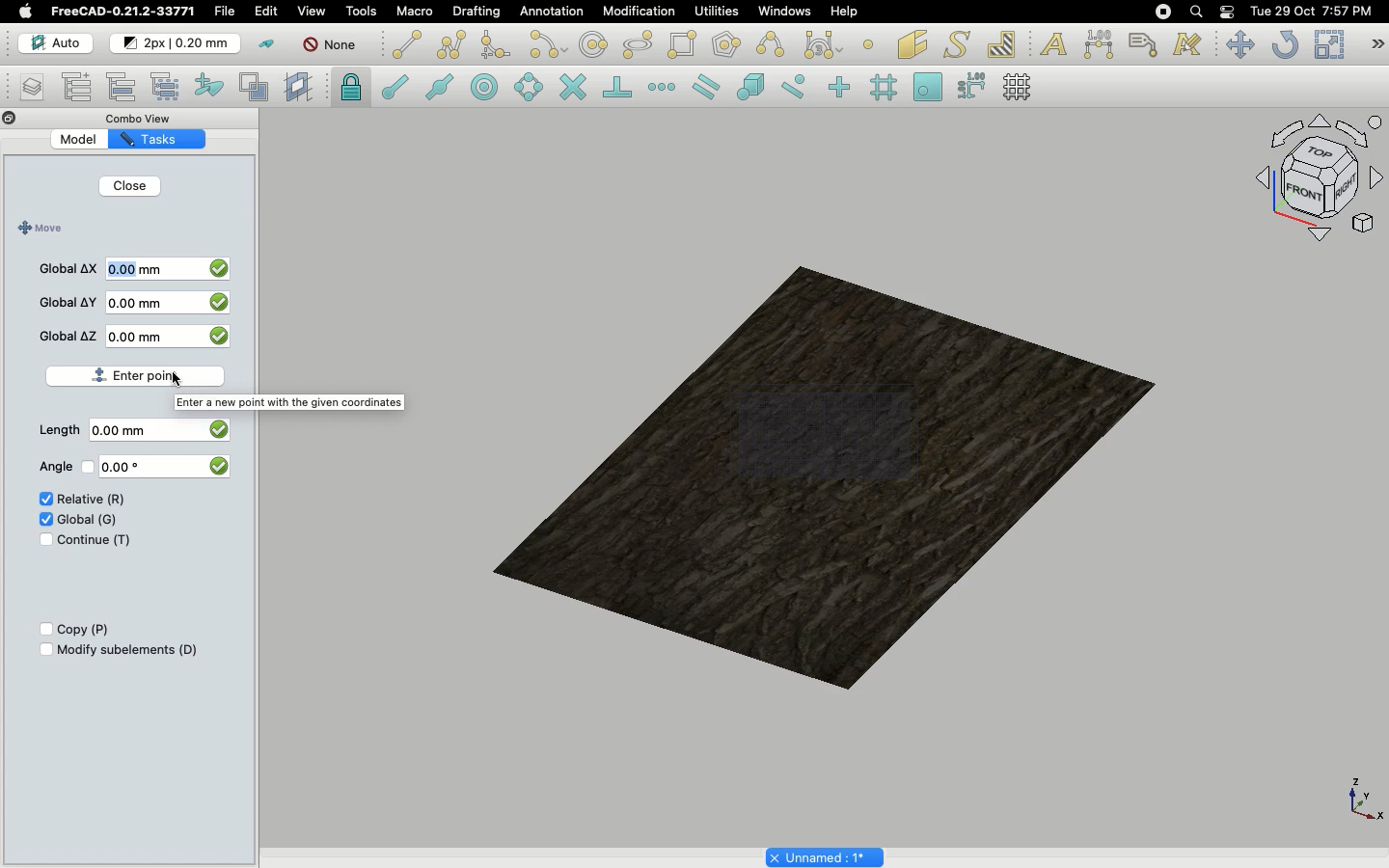  What do you see at coordinates (124, 12) in the screenshot?
I see `FreeCAD` at bounding box center [124, 12].